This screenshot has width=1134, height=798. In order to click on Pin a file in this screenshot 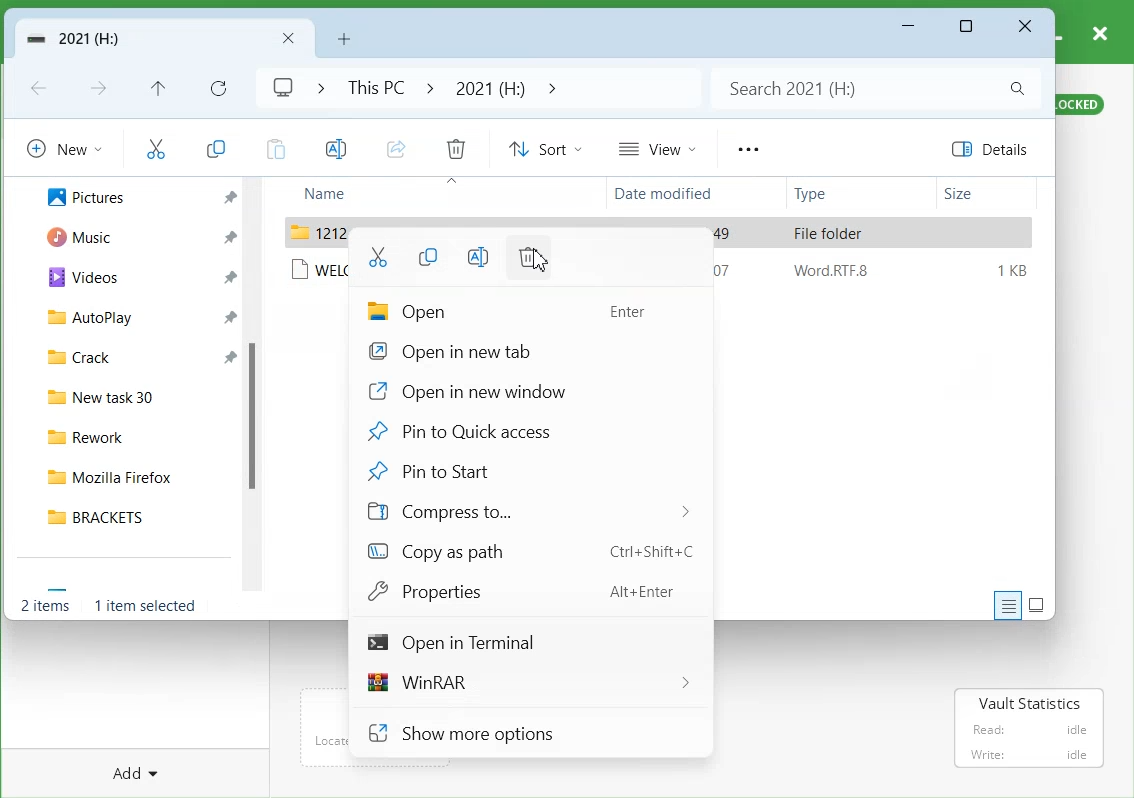, I will do `click(227, 356)`.